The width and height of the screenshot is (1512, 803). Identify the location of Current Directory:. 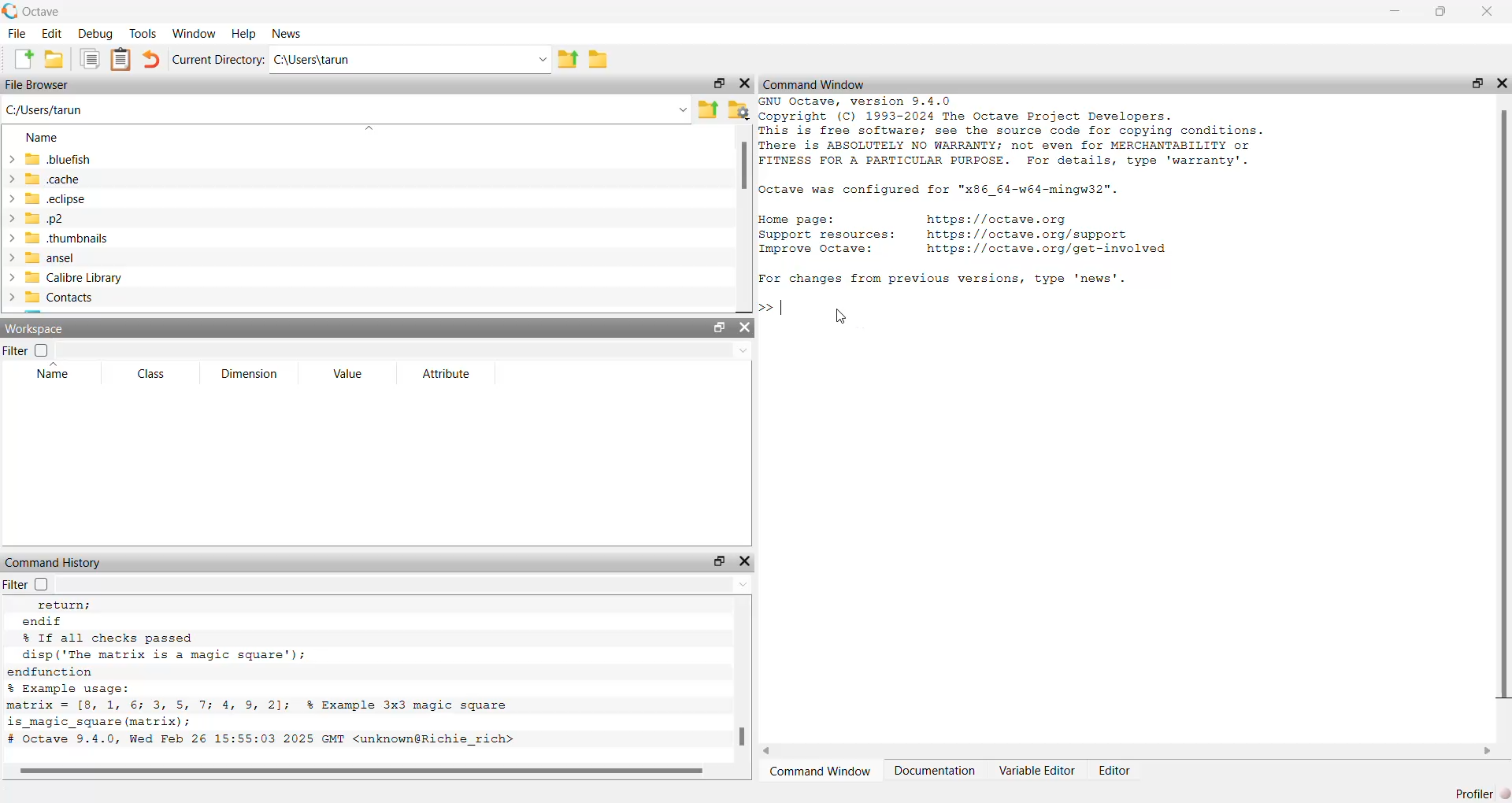
(217, 60).